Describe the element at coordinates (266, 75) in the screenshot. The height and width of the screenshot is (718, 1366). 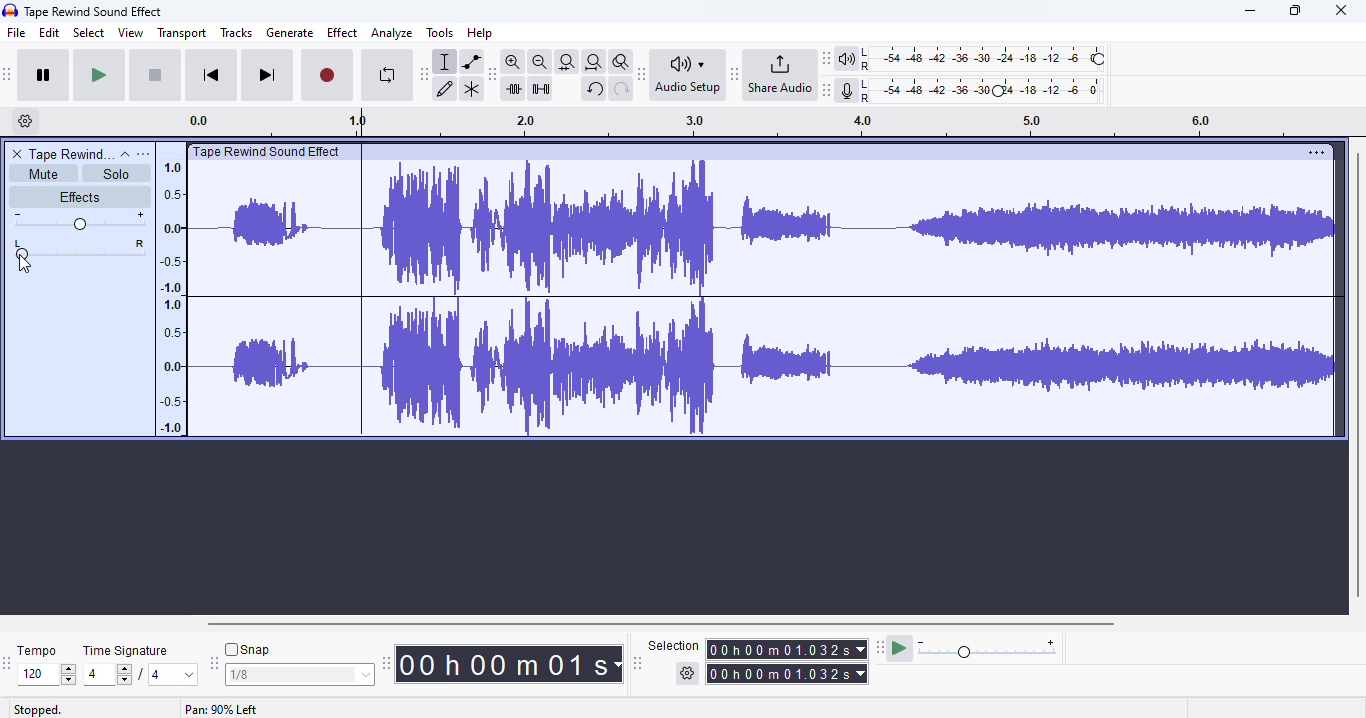
I see `skip to end` at that location.